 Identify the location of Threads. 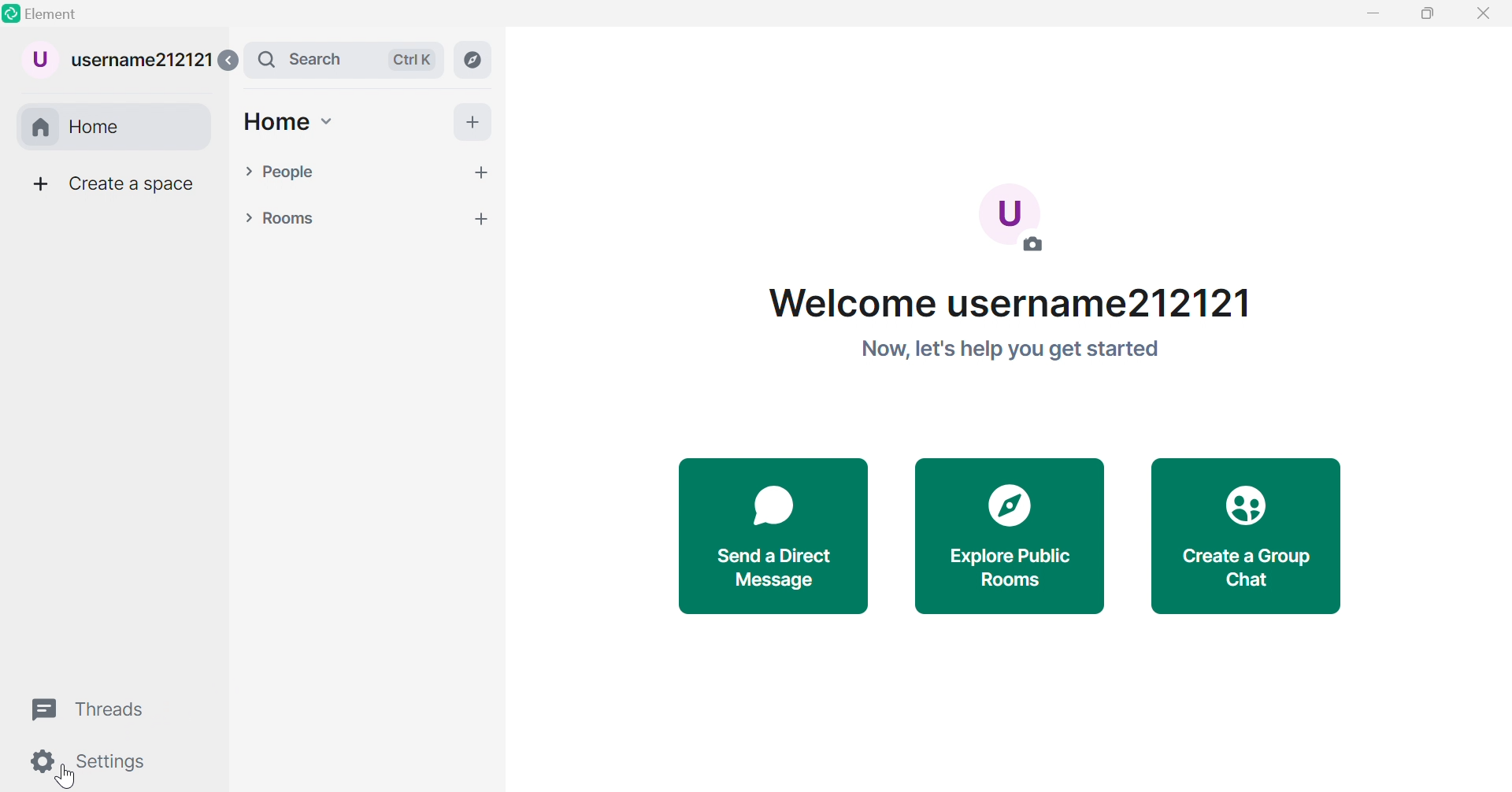
(87, 707).